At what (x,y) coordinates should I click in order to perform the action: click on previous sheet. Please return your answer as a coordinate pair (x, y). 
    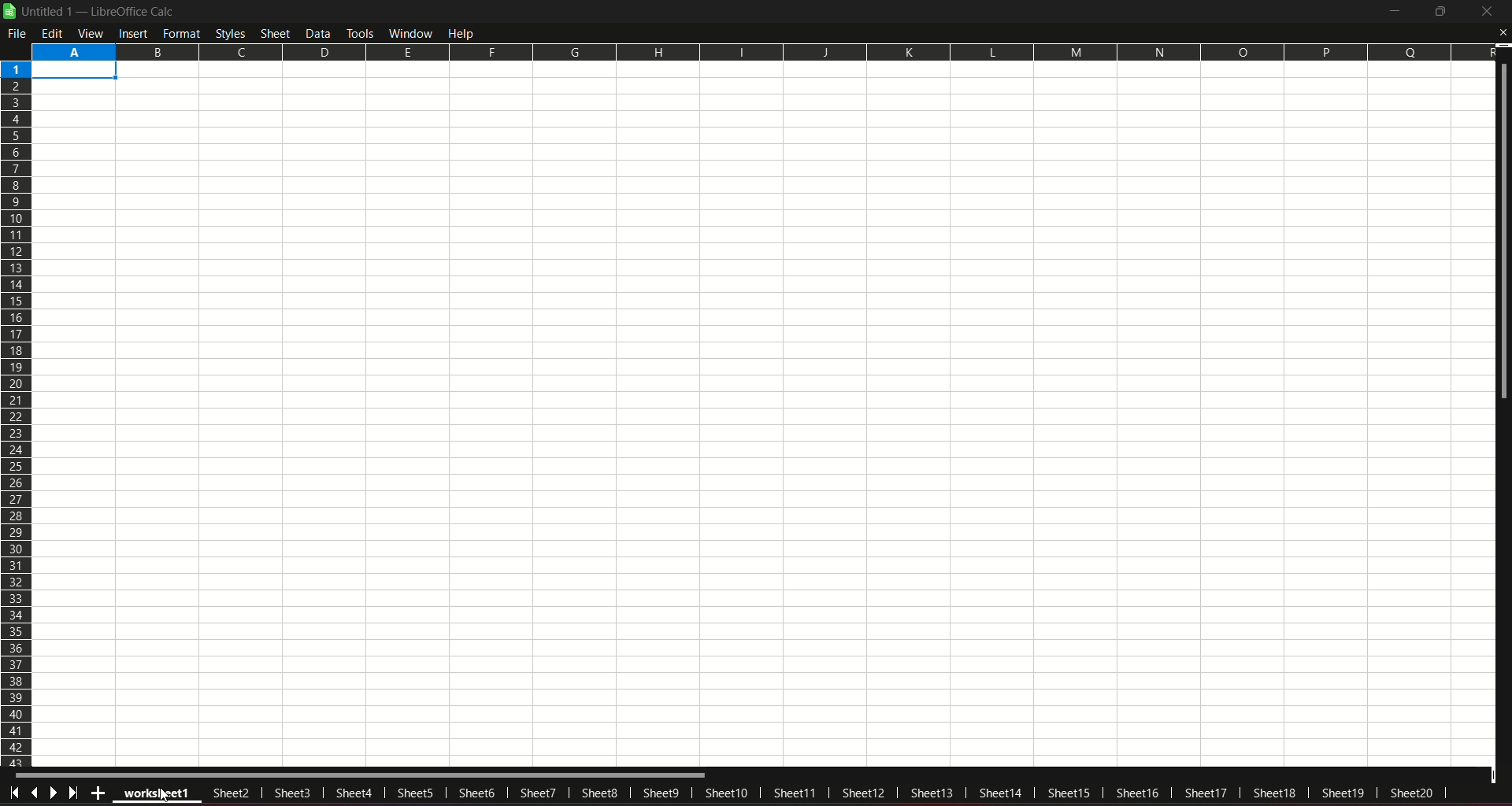
    Looking at the image, I should click on (36, 791).